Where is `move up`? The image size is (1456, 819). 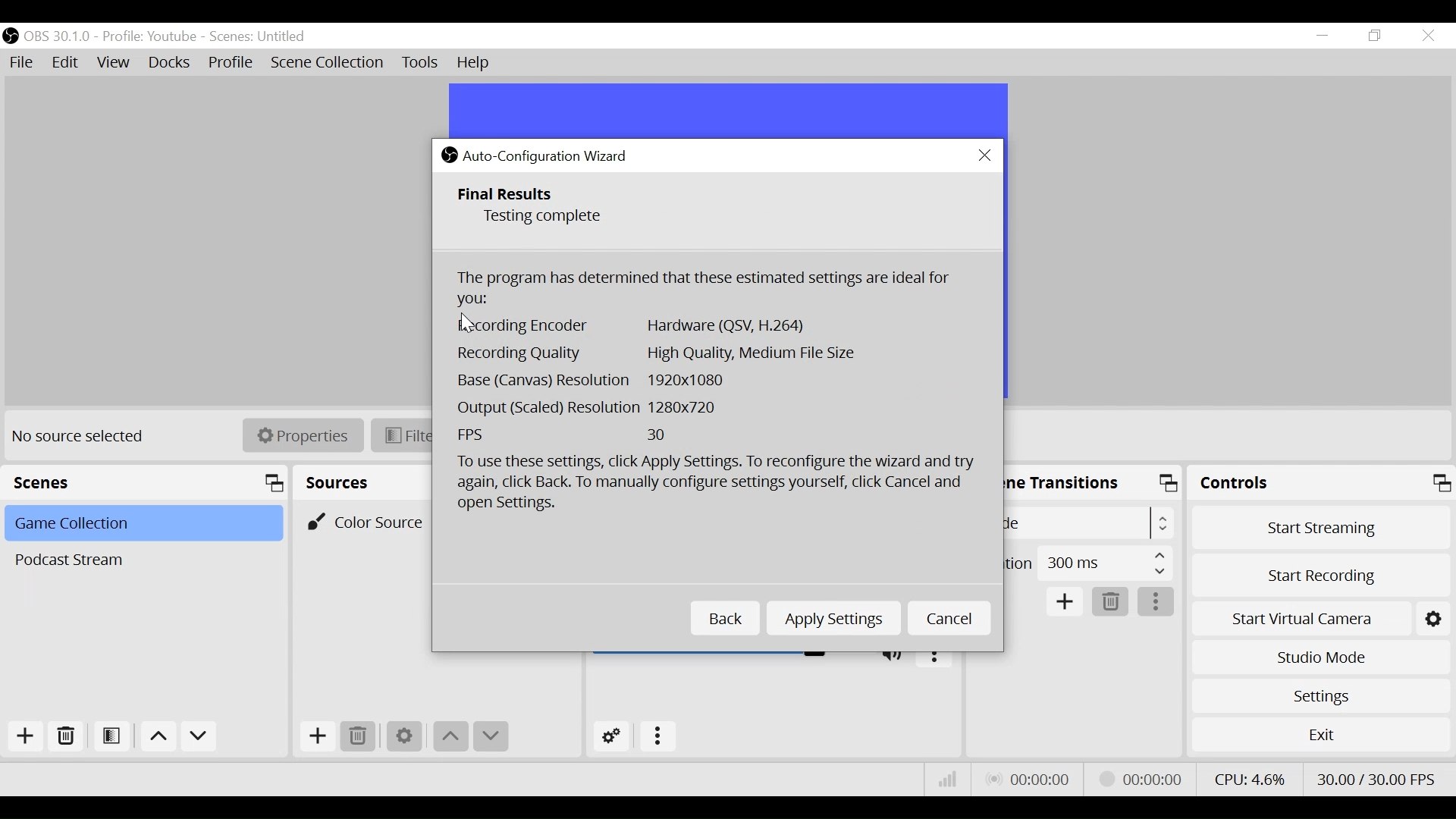 move up is located at coordinates (452, 738).